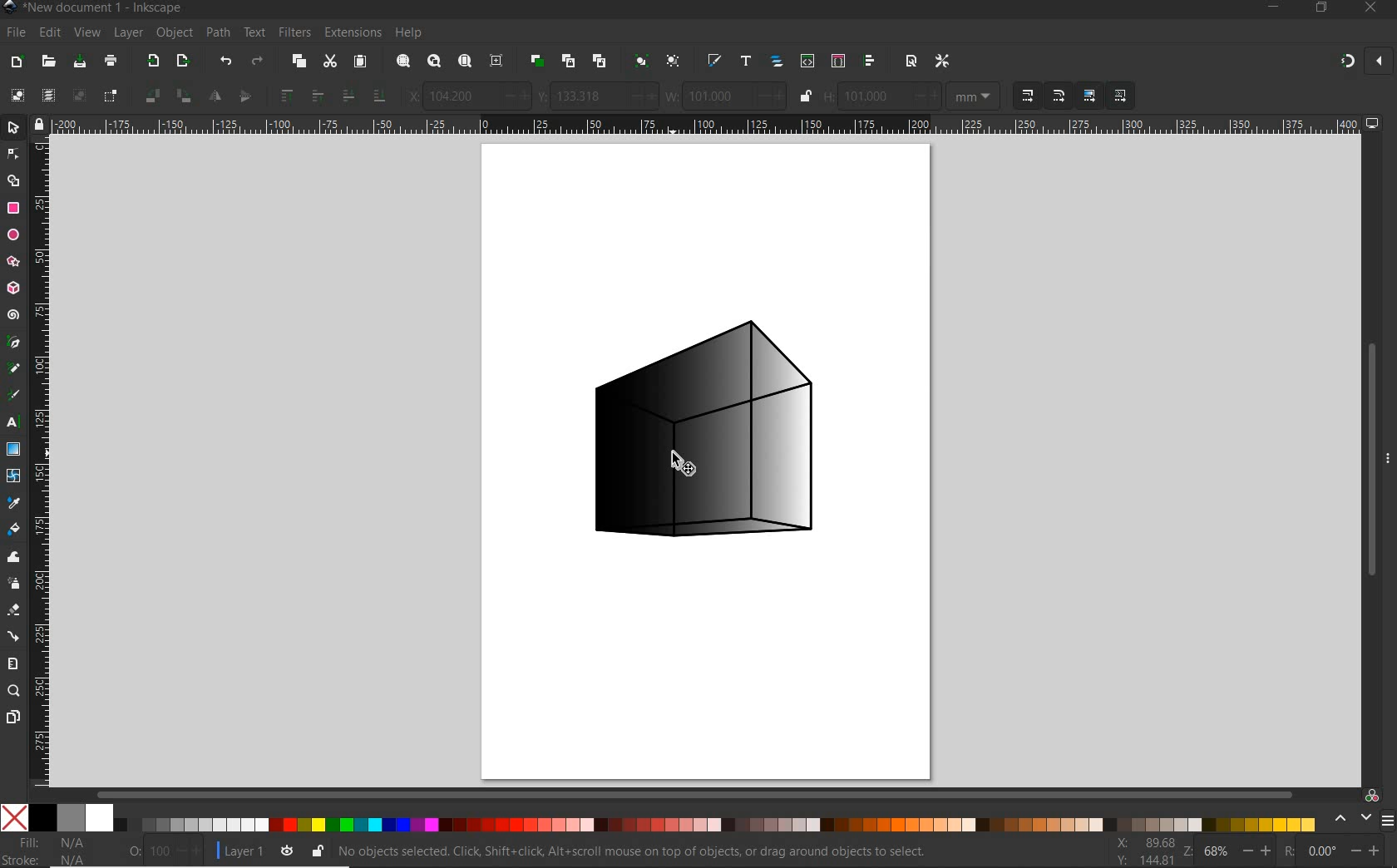  What do you see at coordinates (15, 635) in the screenshot?
I see `CONNECTOR TOOL` at bounding box center [15, 635].